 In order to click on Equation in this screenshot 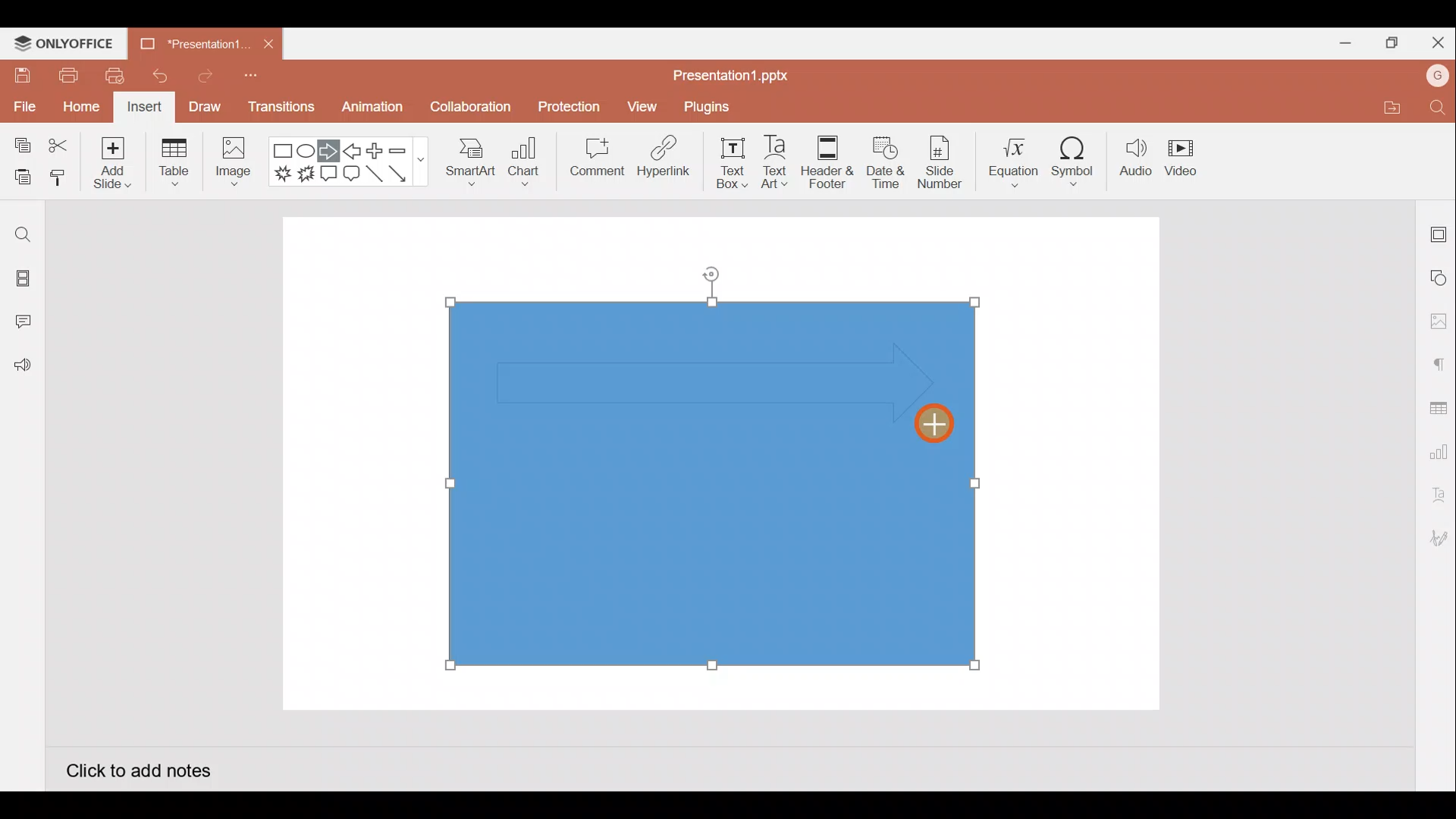, I will do `click(1015, 157)`.